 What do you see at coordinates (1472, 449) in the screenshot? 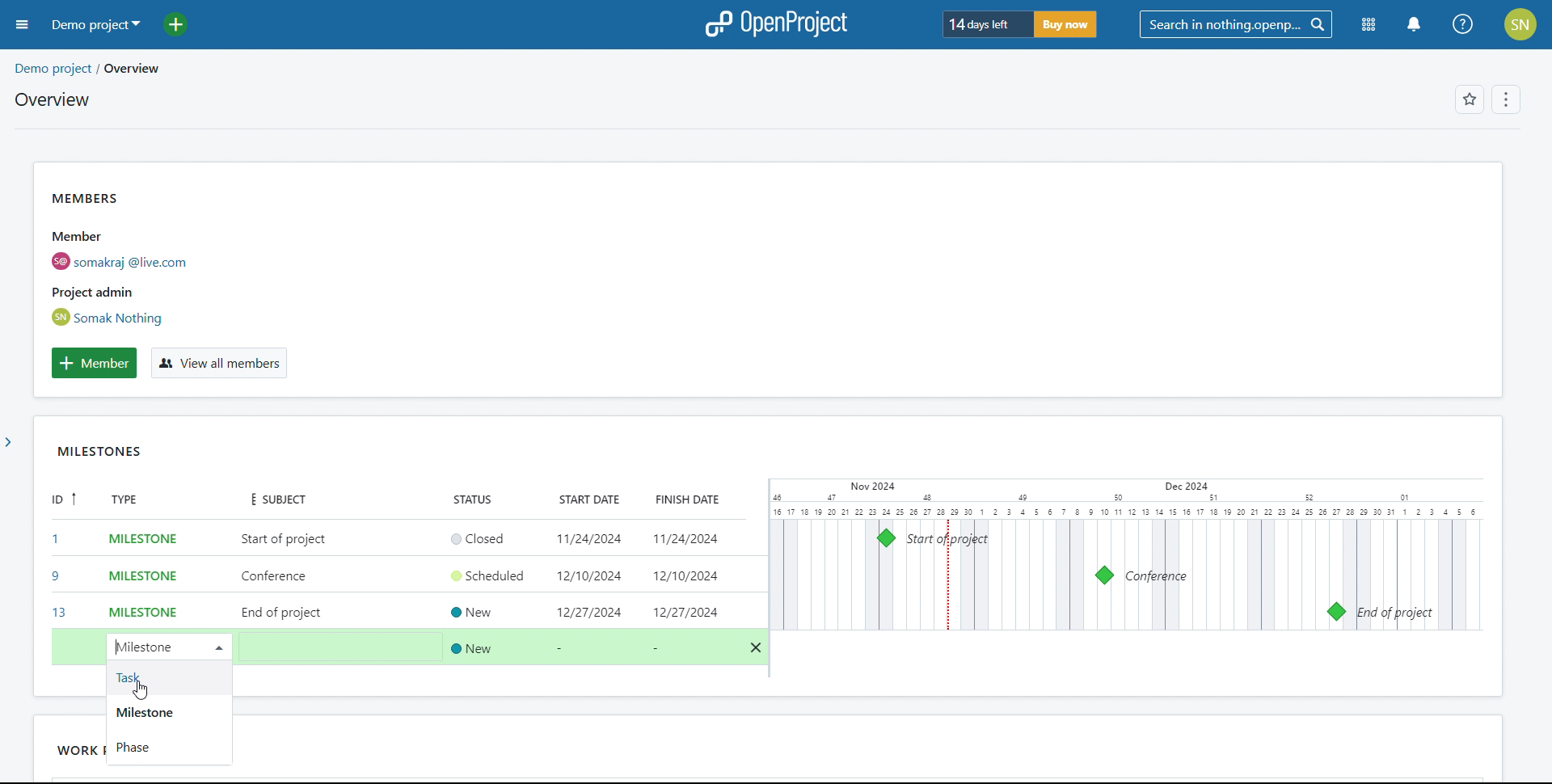
I see `widget options` at bounding box center [1472, 449].